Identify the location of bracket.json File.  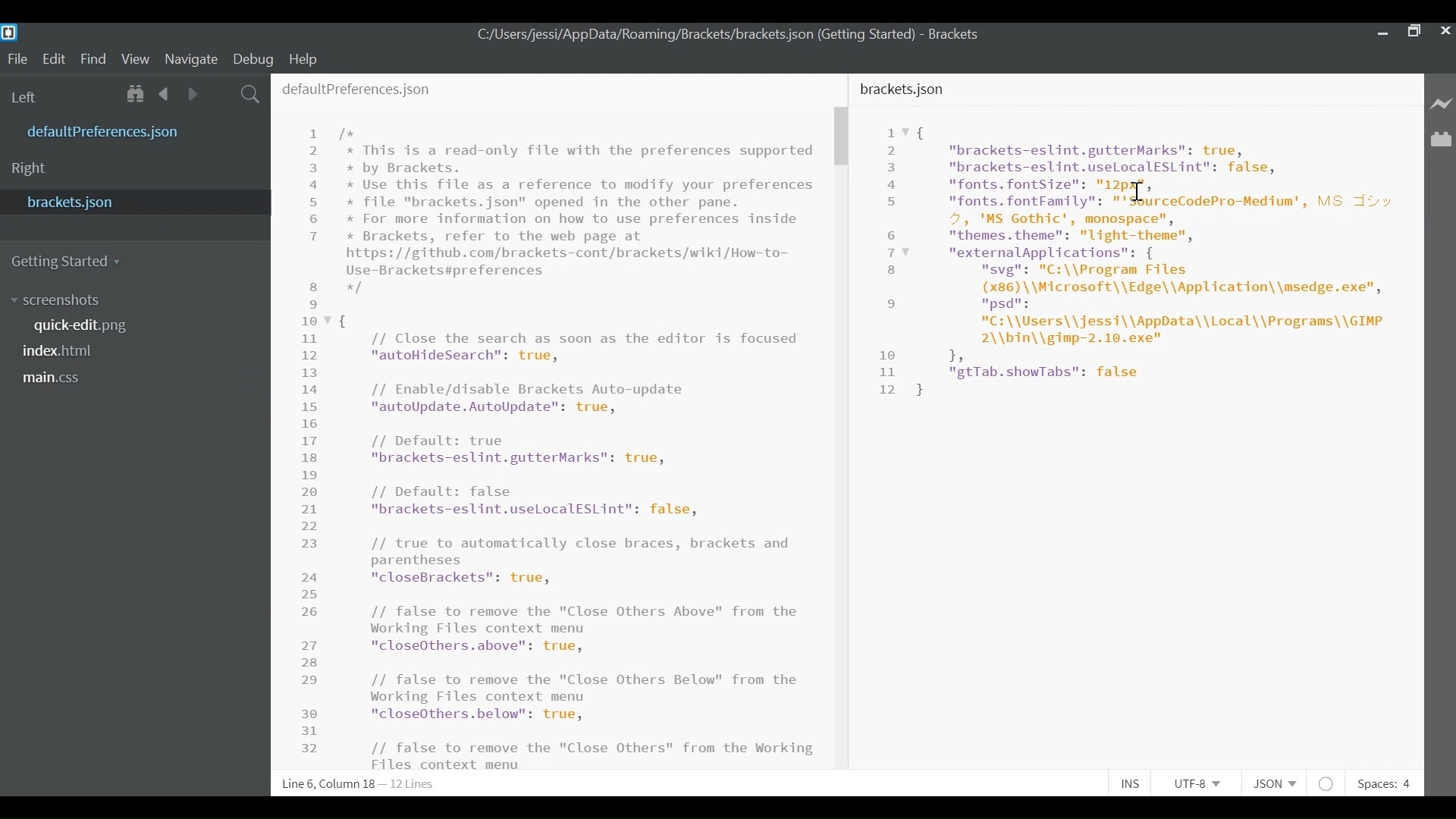
(132, 201).